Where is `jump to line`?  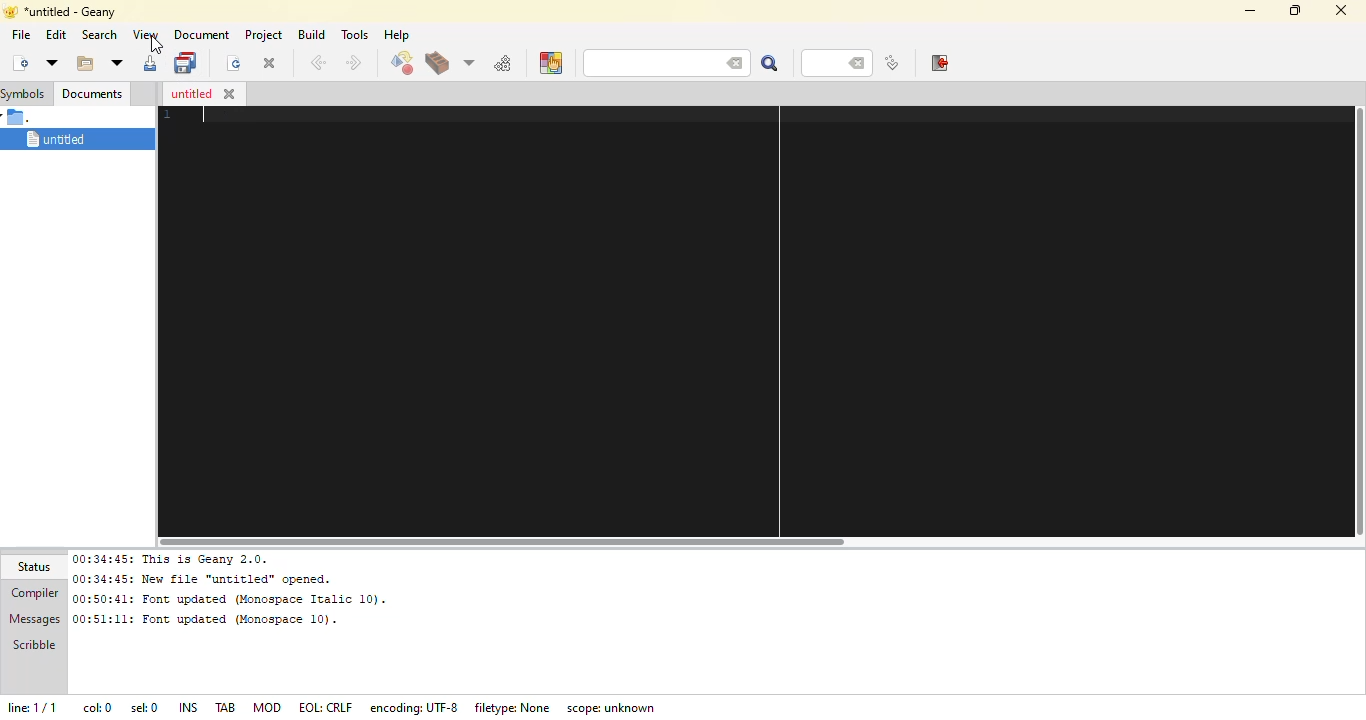 jump to line is located at coordinates (890, 64).